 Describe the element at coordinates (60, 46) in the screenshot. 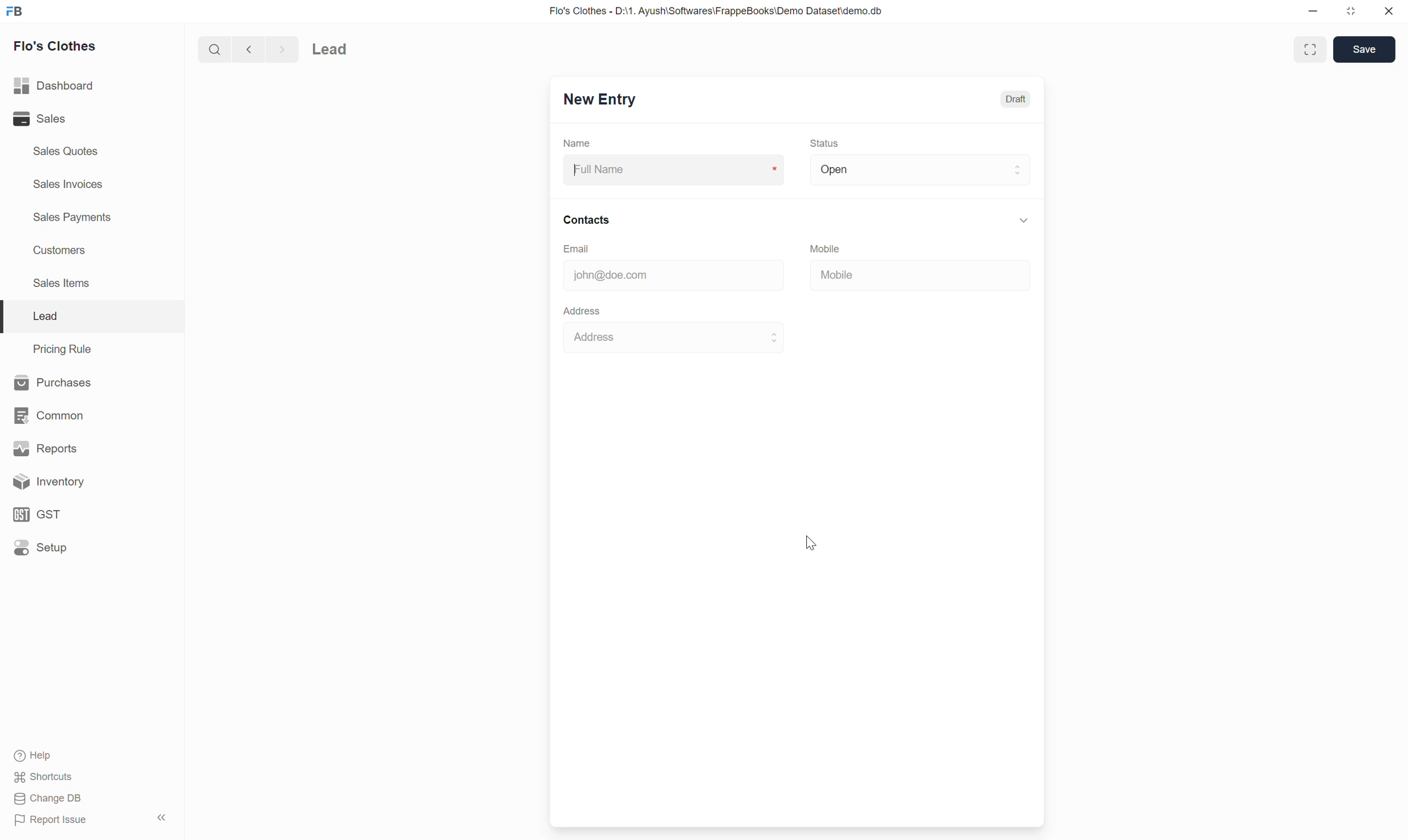

I see `Flo's Clothes` at that location.